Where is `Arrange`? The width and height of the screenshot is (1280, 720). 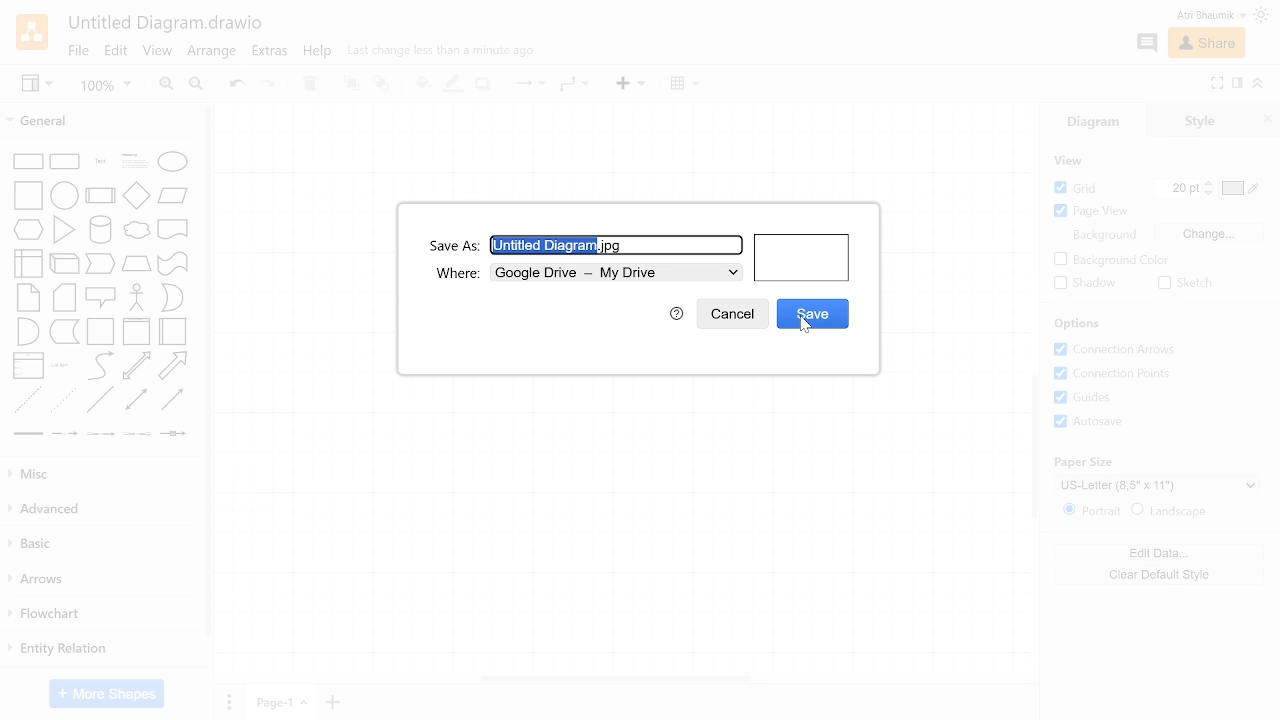 Arrange is located at coordinates (214, 52).